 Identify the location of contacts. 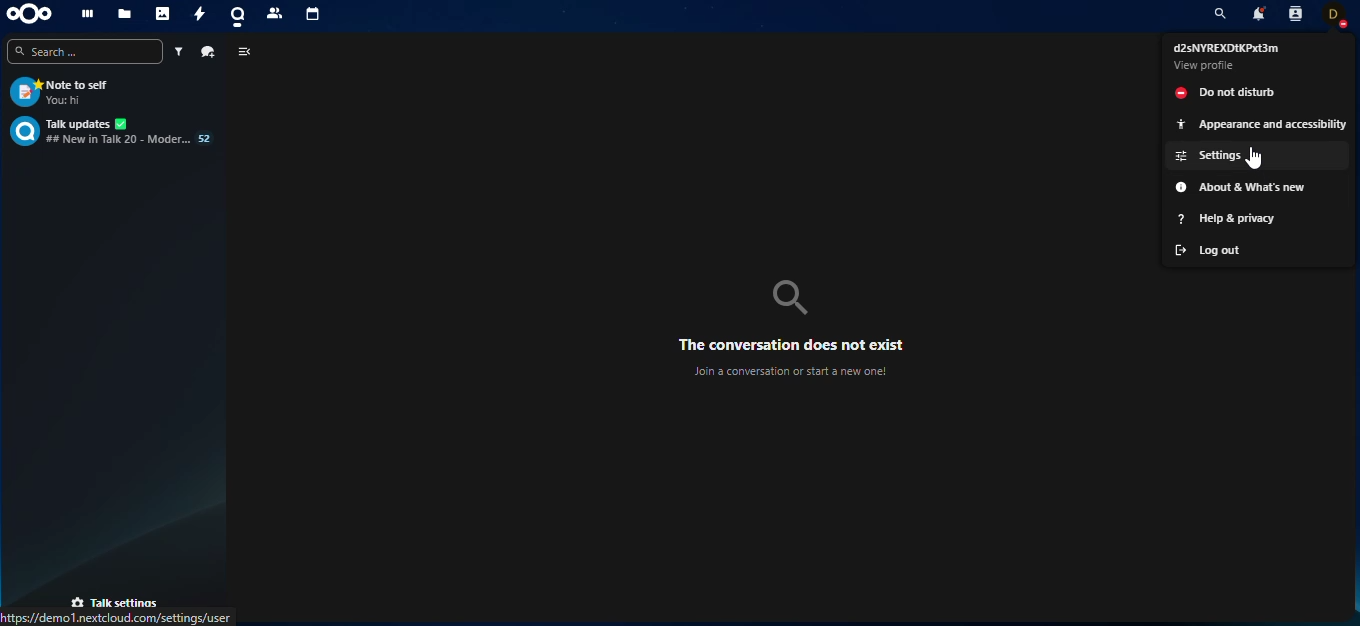
(1296, 14).